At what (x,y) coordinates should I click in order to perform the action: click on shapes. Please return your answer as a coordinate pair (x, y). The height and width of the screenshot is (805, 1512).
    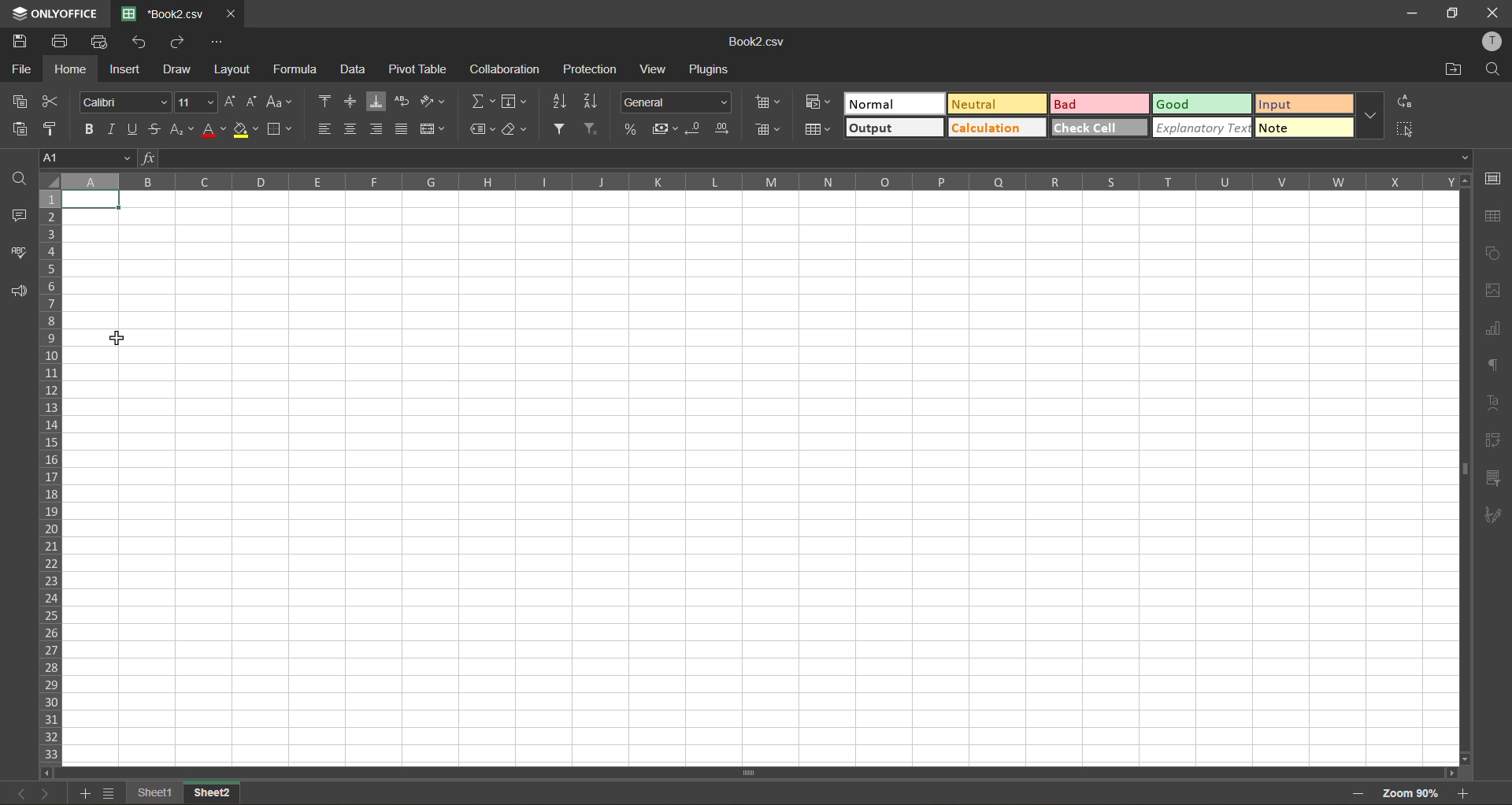
    Looking at the image, I should click on (1495, 254).